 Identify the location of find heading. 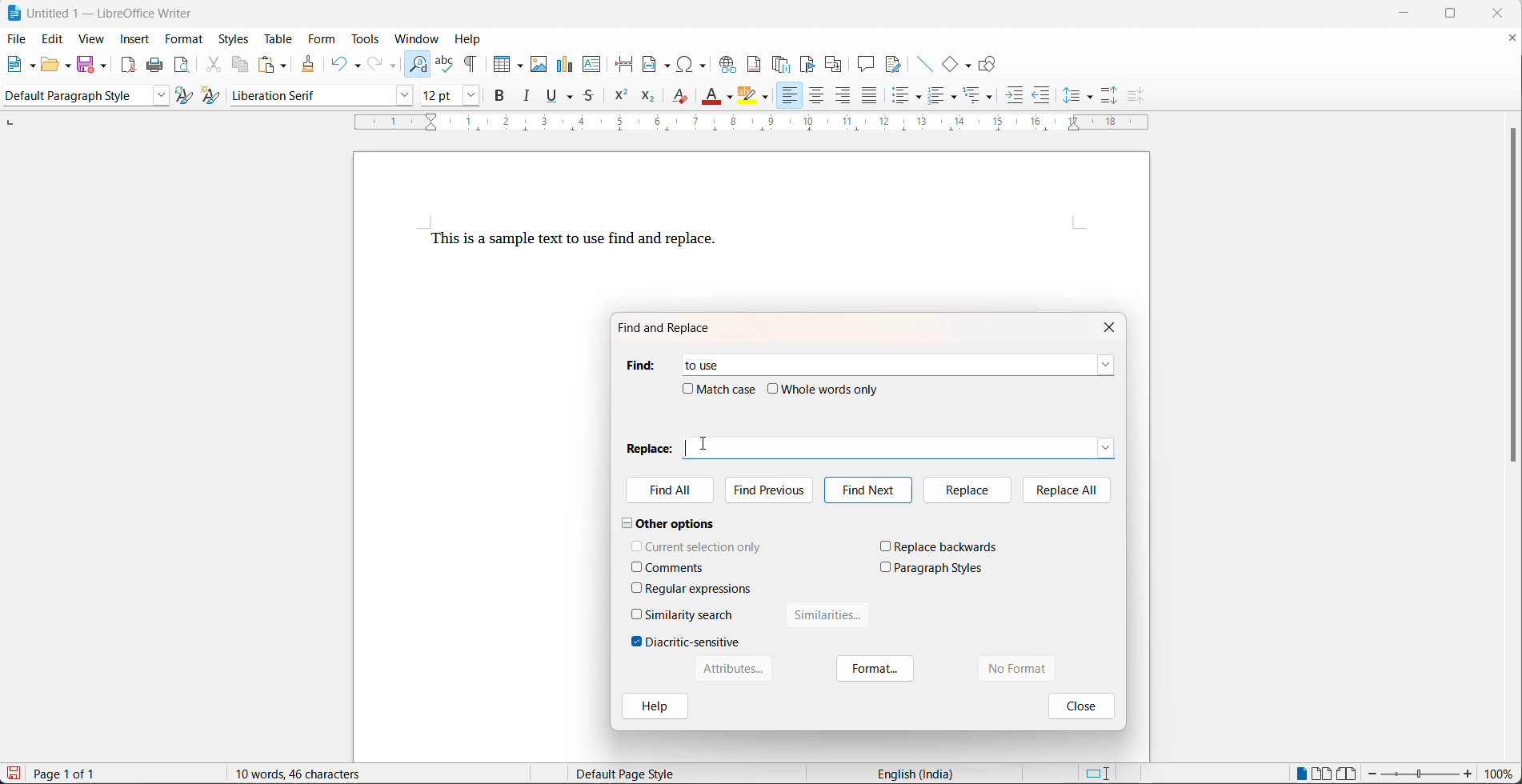
(639, 365).